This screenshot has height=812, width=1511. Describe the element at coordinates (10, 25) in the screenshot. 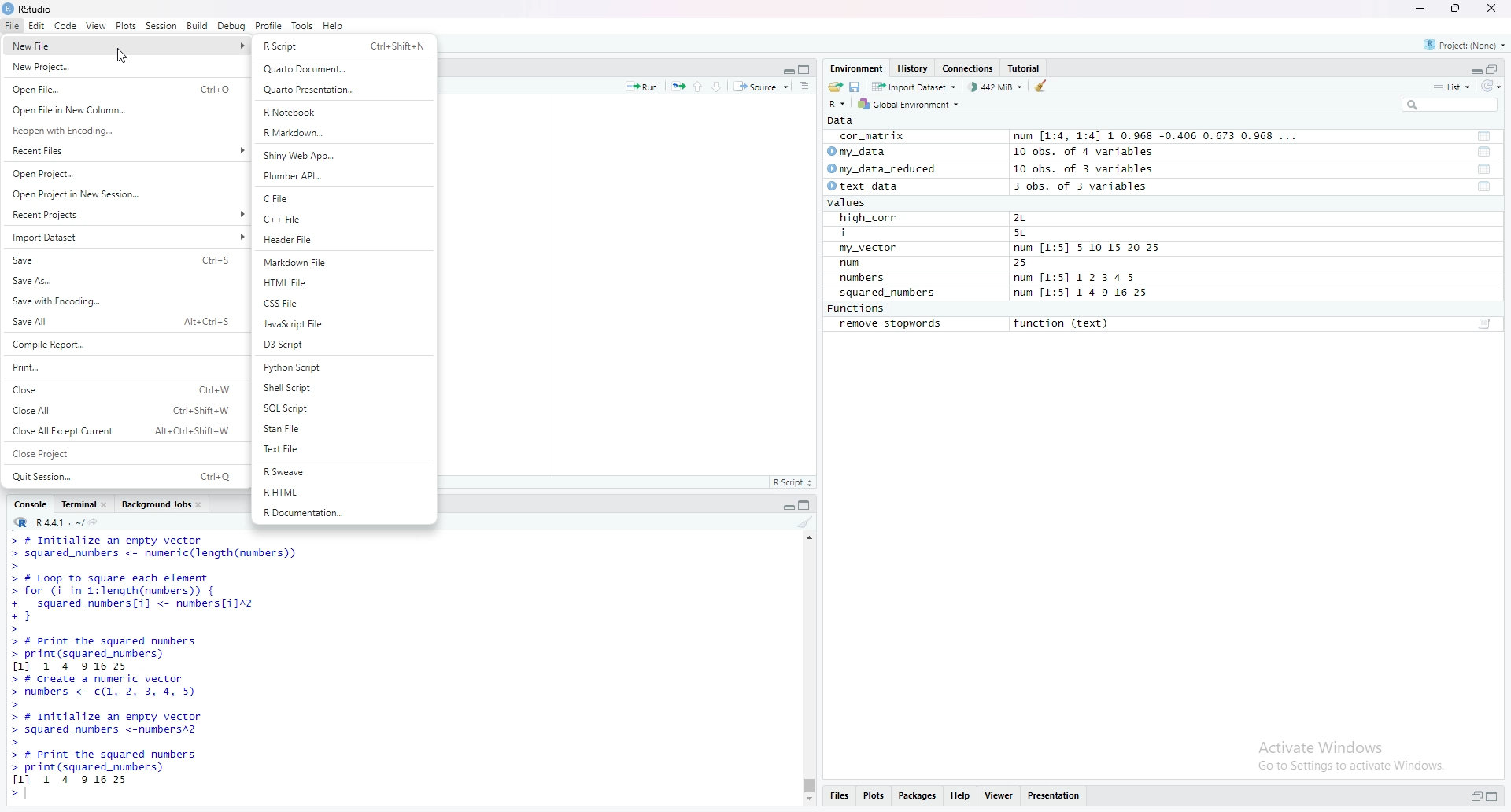

I see `File` at that location.